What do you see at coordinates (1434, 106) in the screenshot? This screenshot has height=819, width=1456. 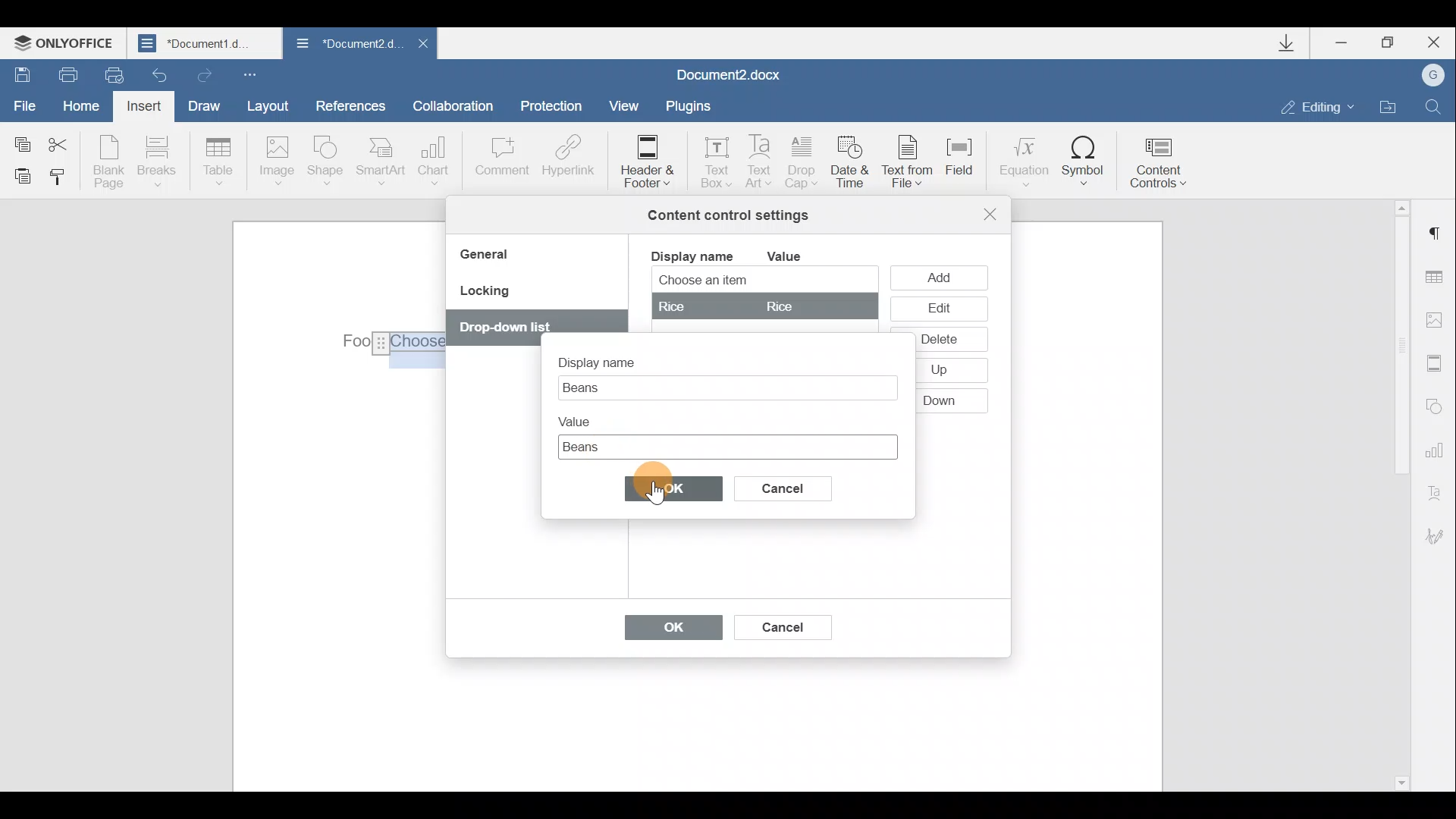 I see `Find` at bounding box center [1434, 106].